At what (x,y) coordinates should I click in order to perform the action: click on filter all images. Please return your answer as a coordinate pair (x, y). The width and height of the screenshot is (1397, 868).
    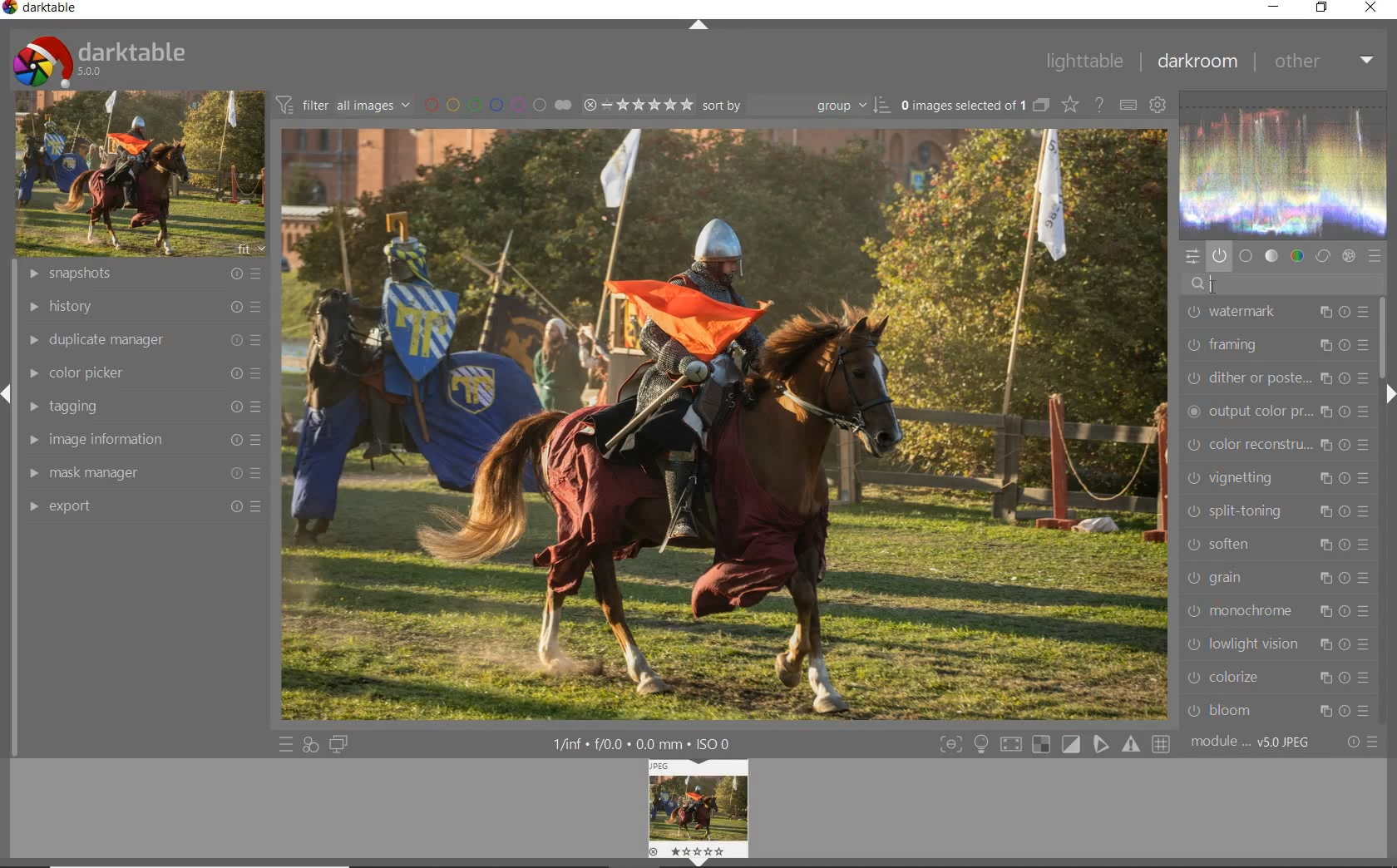
    Looking at the image, I should click on (344, 105).